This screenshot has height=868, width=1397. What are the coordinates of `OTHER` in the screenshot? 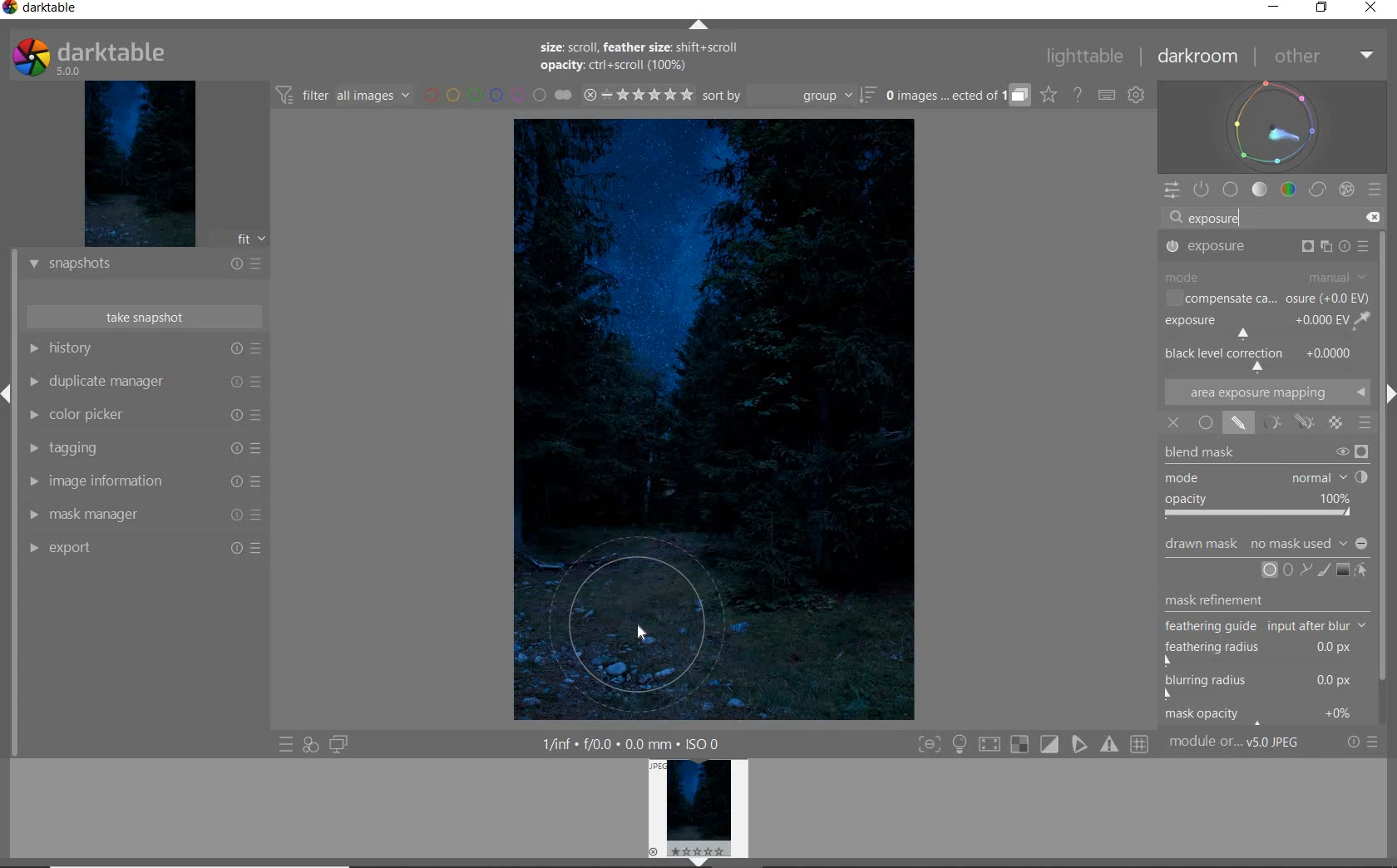 It's located at (1321, 57).